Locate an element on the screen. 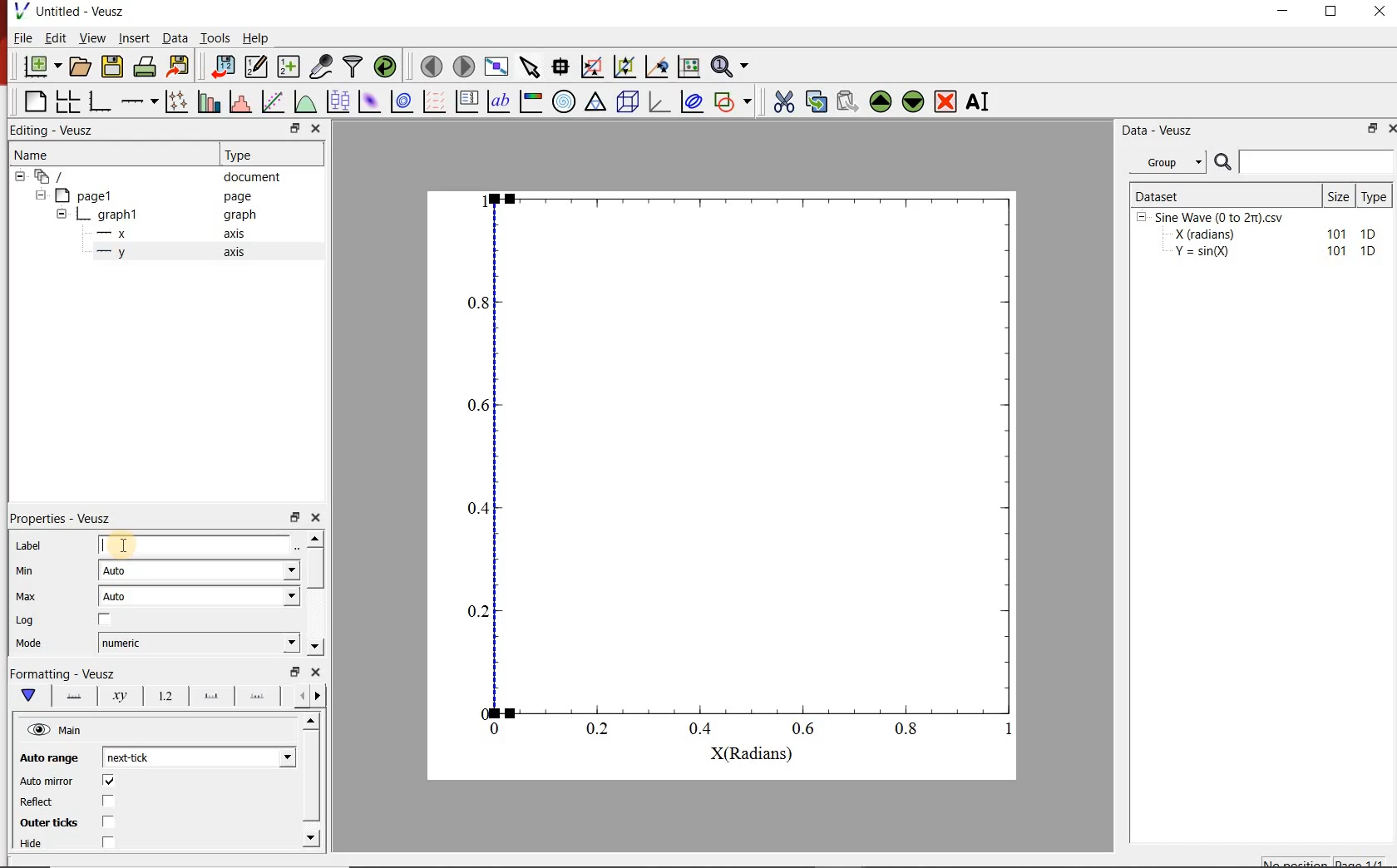 Image resolution: width=1397 pixels, height=868 pixels. Numeric is located at coordinates (199, 644).